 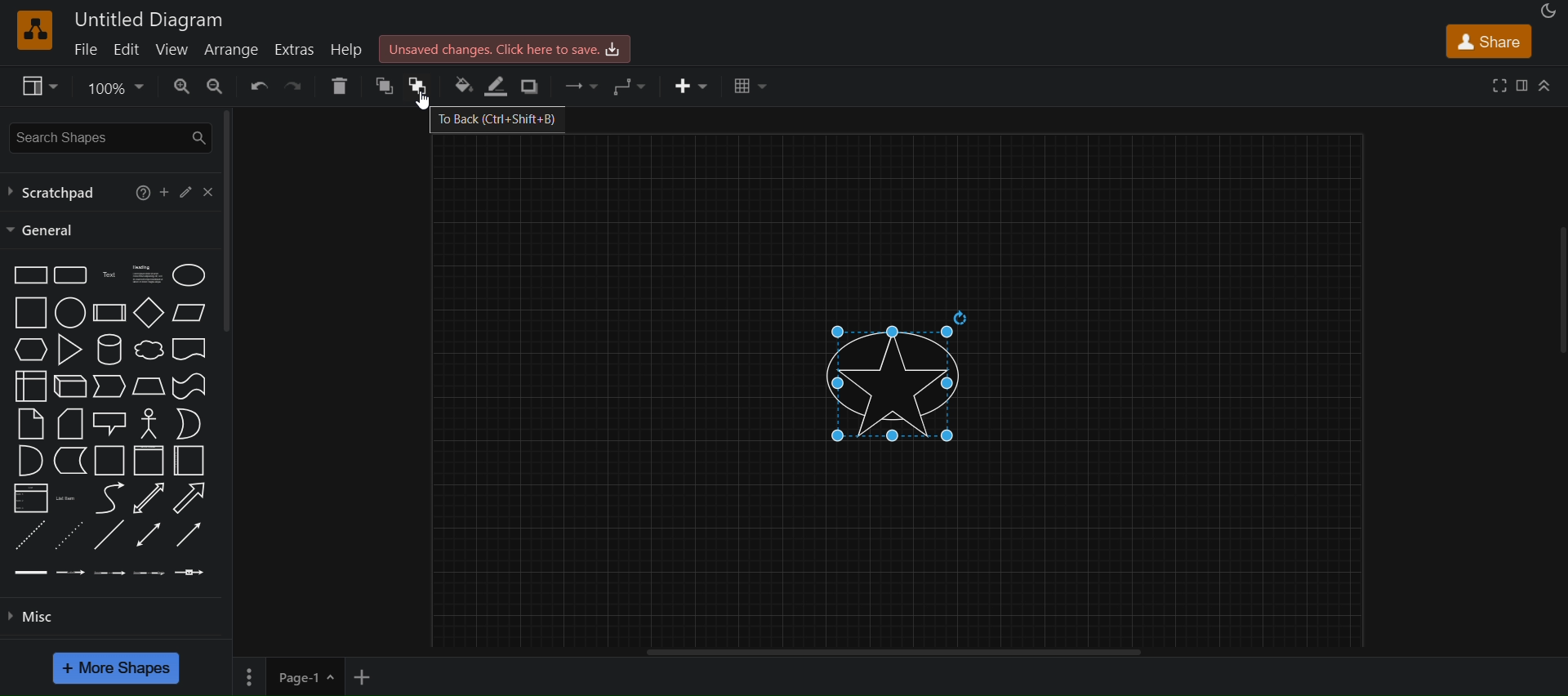 I want to click on list item, so click(x=67, y=498).